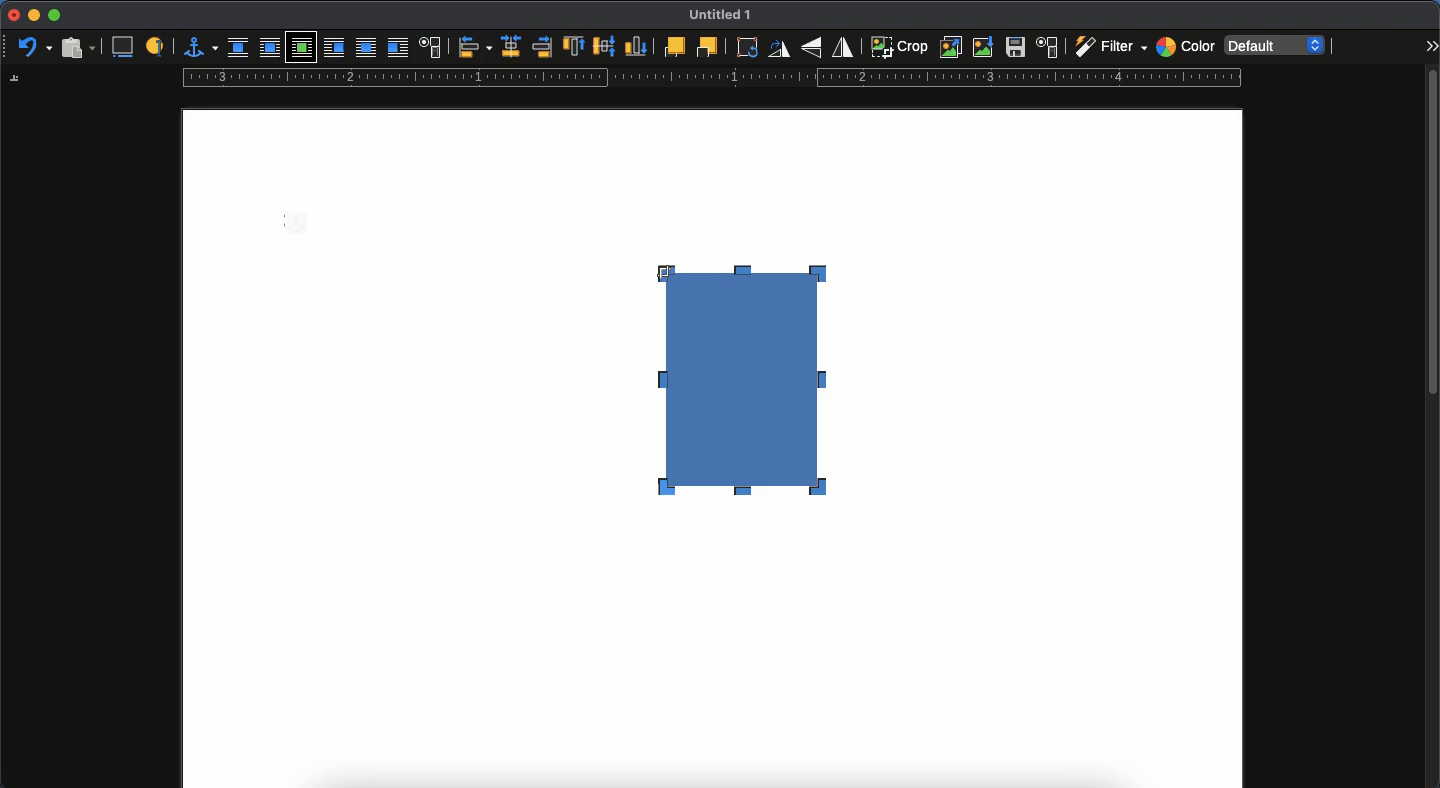  Describe the element at coordinates (35, 48) in the screenshot. I see `undo` at that location.